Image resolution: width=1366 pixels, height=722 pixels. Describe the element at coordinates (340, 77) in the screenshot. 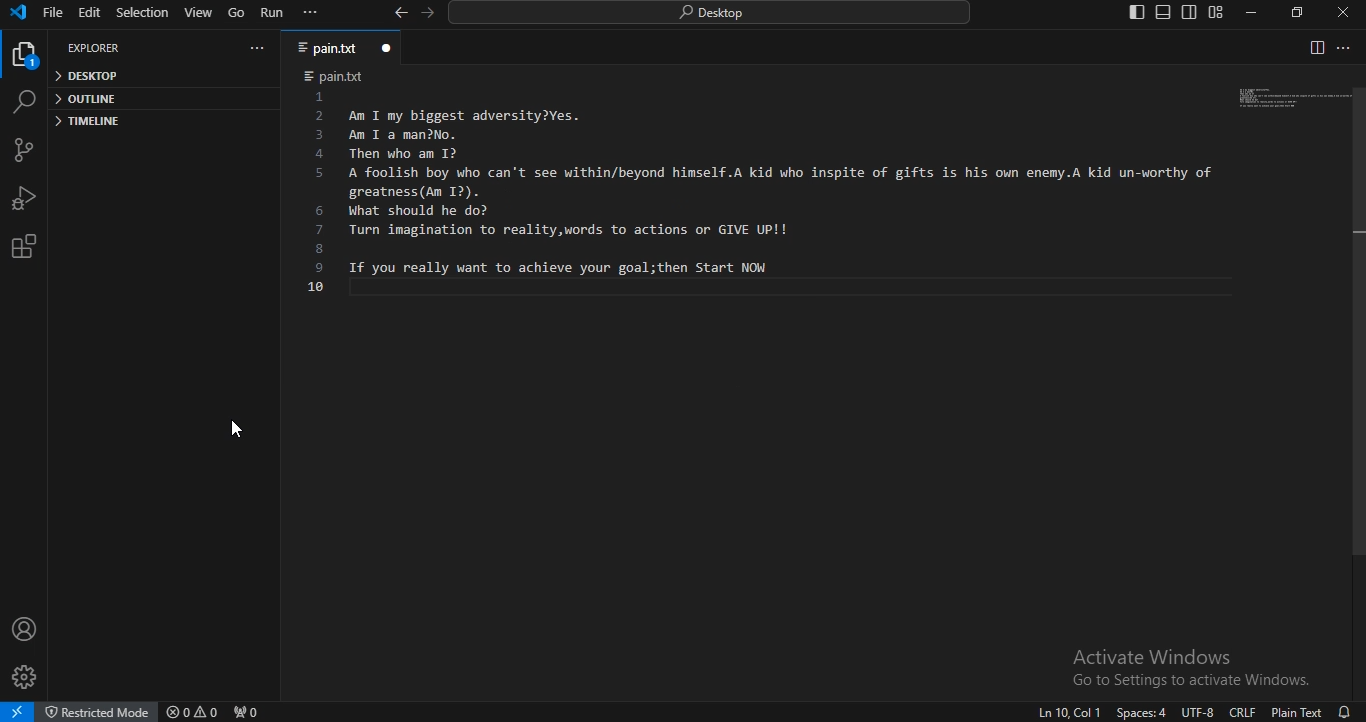

I see `pain.txt` at that location.